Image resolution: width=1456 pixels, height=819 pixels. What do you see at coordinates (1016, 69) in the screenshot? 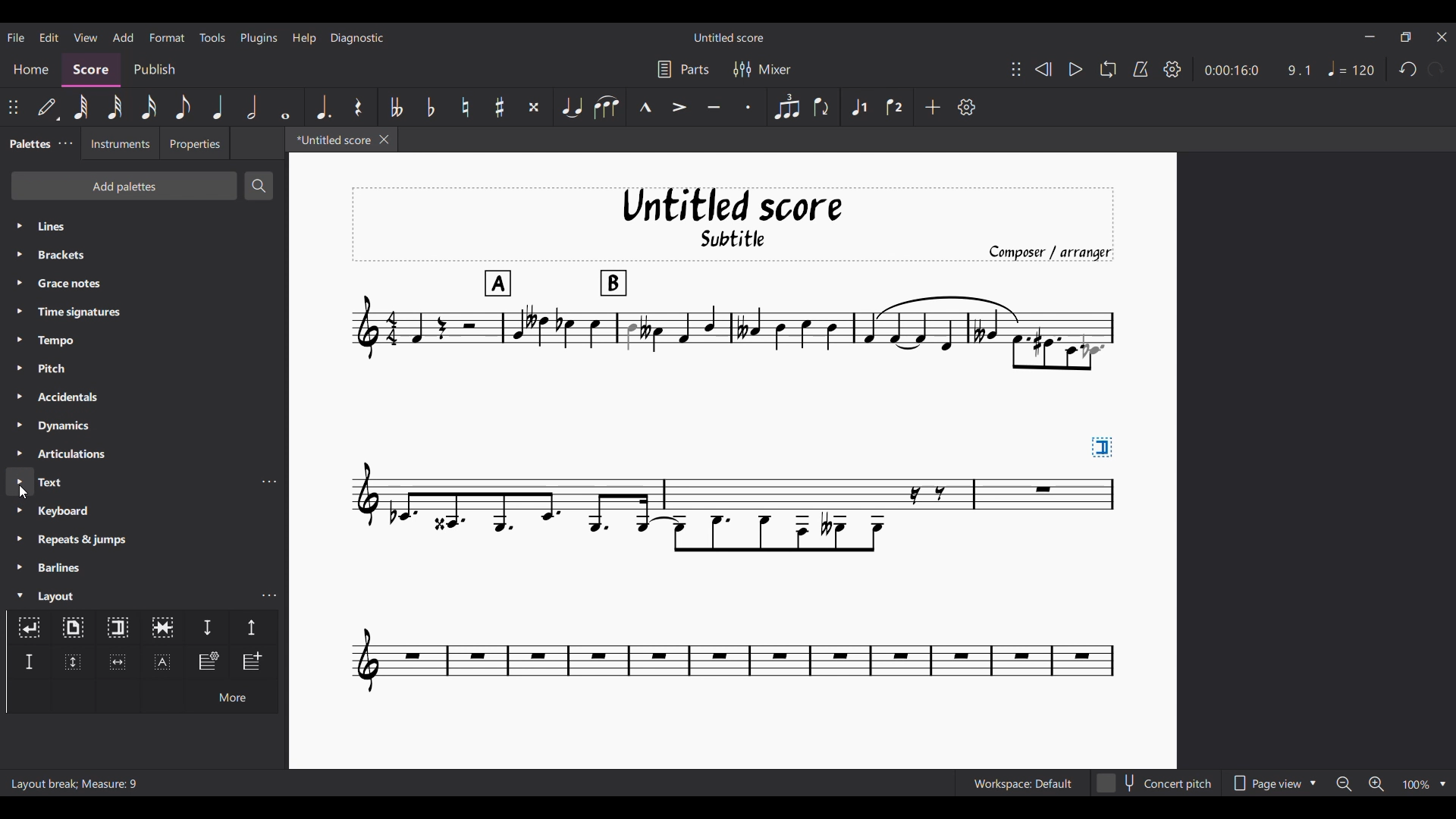
I see `Change position` at bounding box center [1016, 69].